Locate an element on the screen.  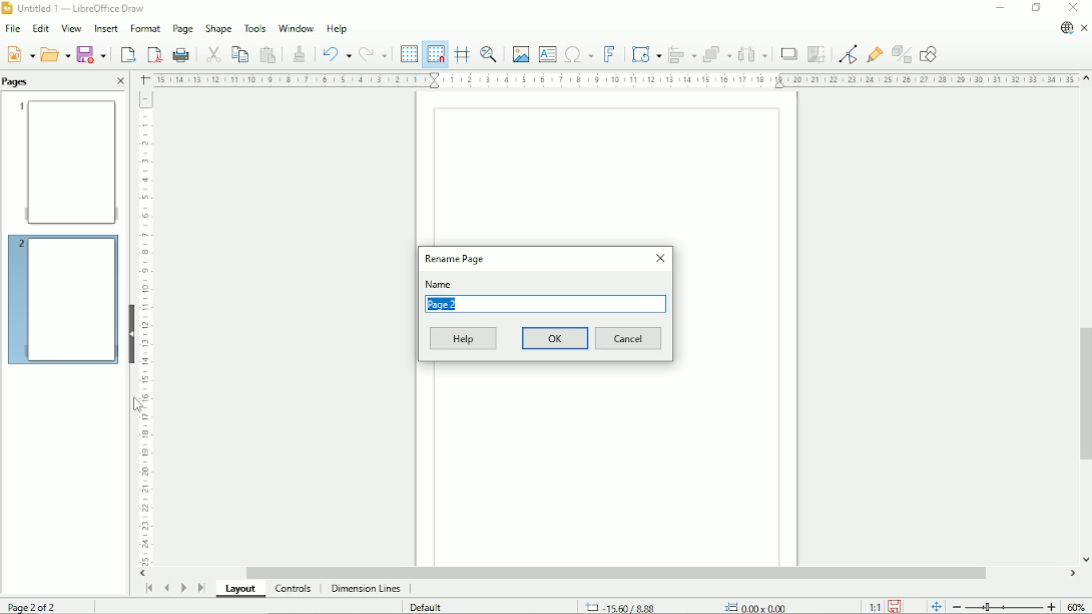
Open is located at coordinates (55, 53).